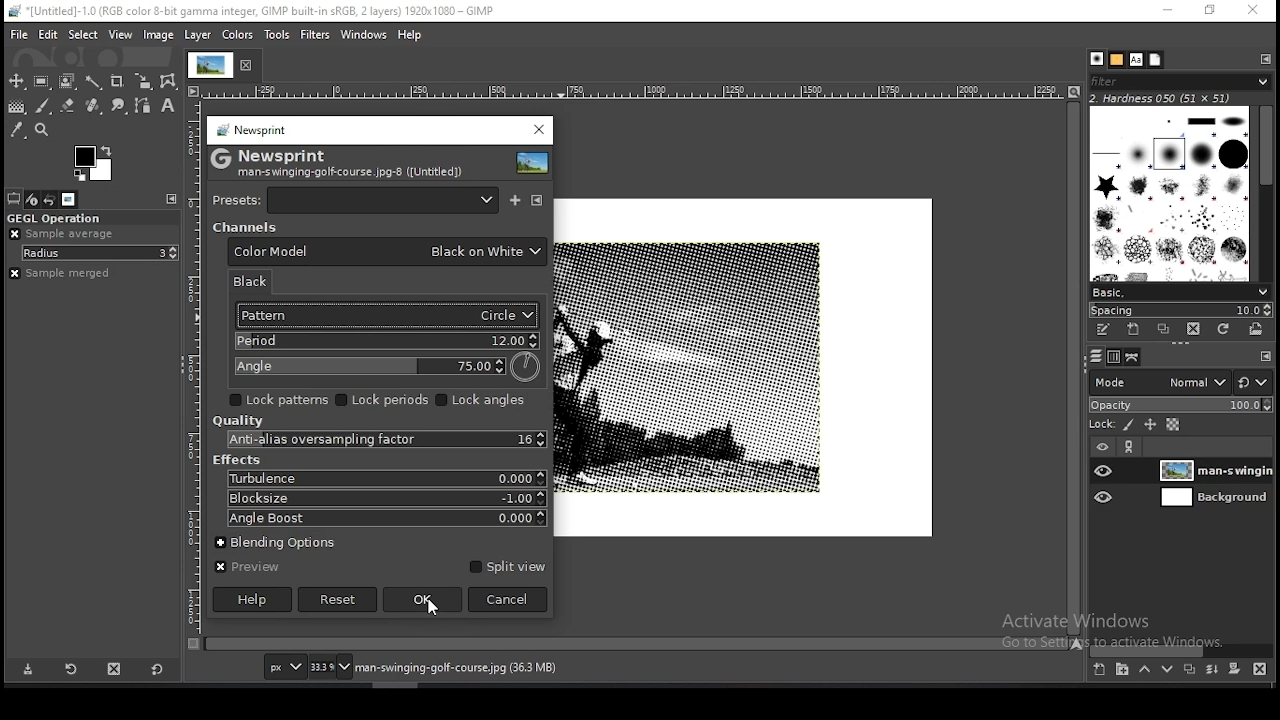 The width and height of the screenshot is (1280, 720). I want to click on turbulence, so click(386, 479).